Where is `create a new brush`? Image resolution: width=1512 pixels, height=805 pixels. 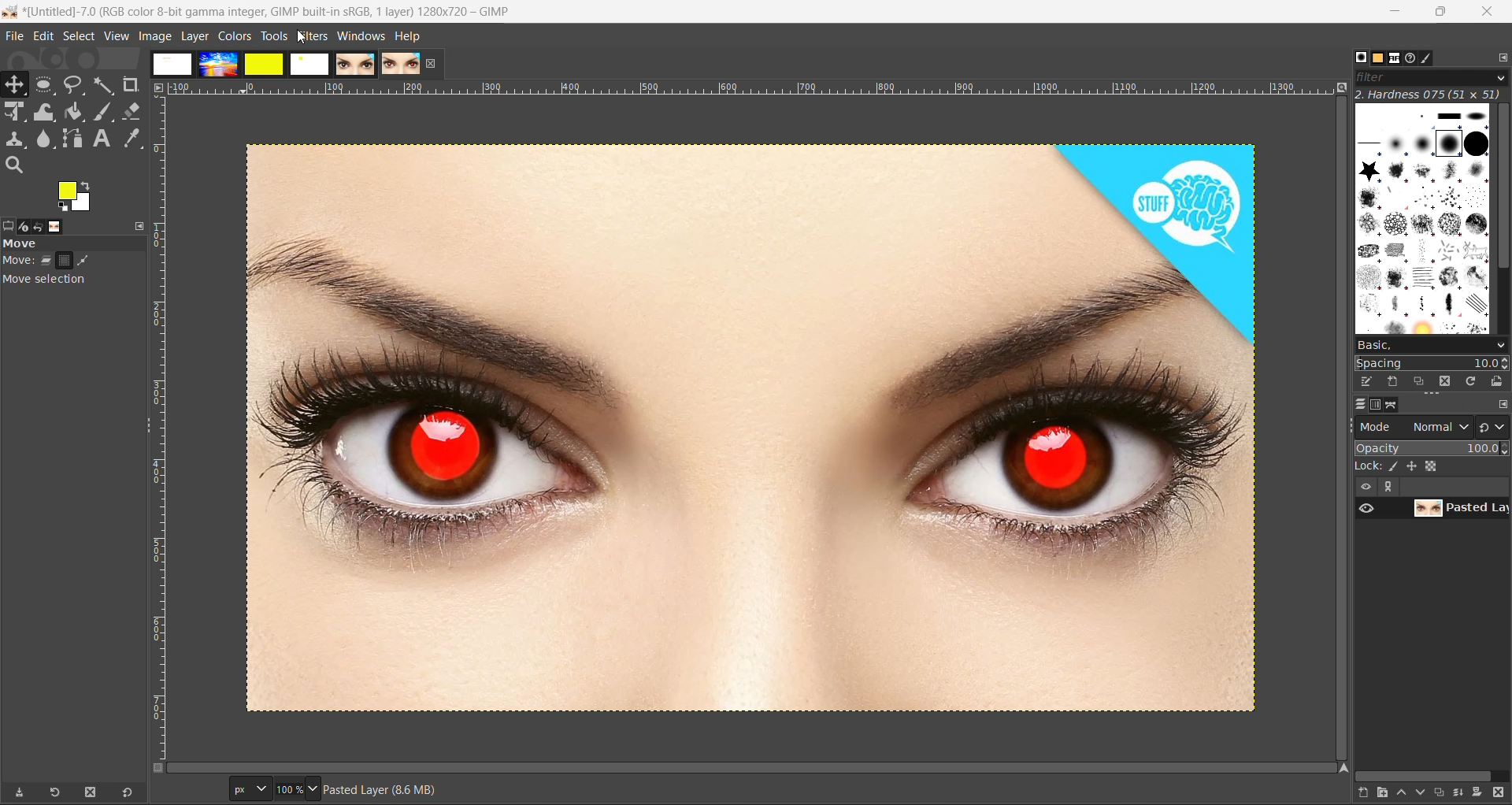 create a new brush is located at coordinates (1392, 381).